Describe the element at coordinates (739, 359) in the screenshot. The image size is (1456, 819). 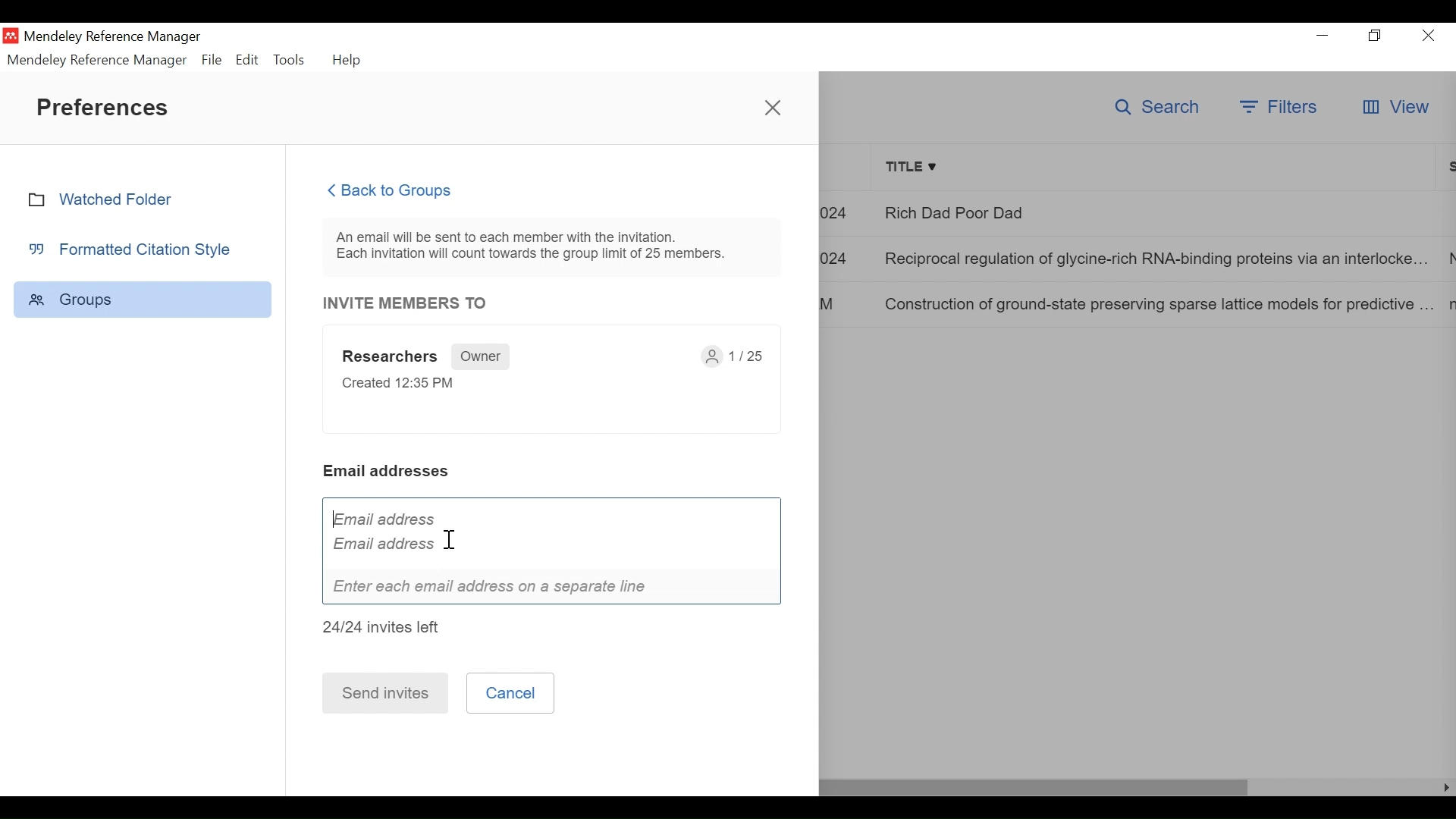
I see `1/25` at that location.